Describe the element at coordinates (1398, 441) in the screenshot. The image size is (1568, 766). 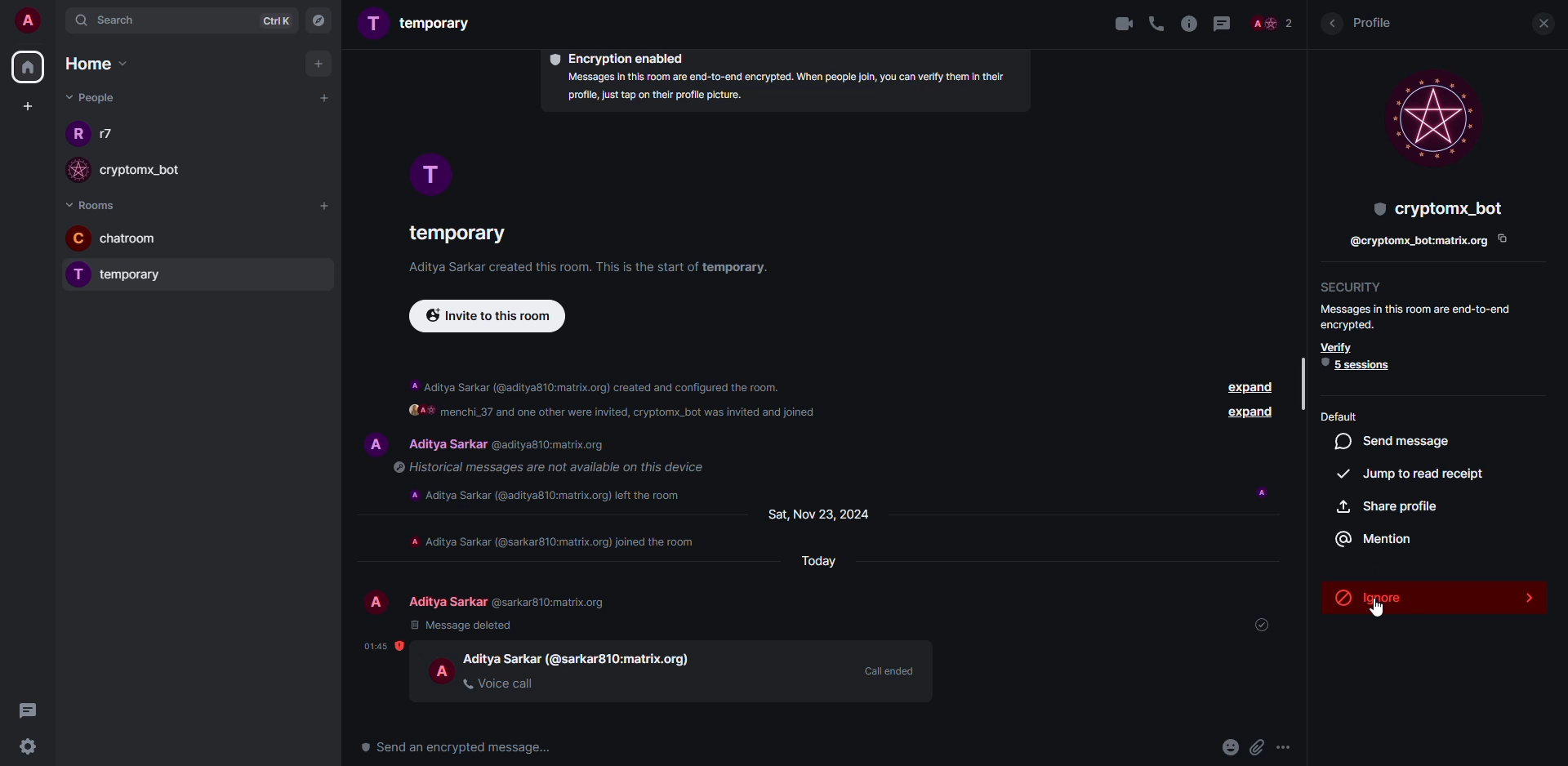
I see `sed message` at that location.